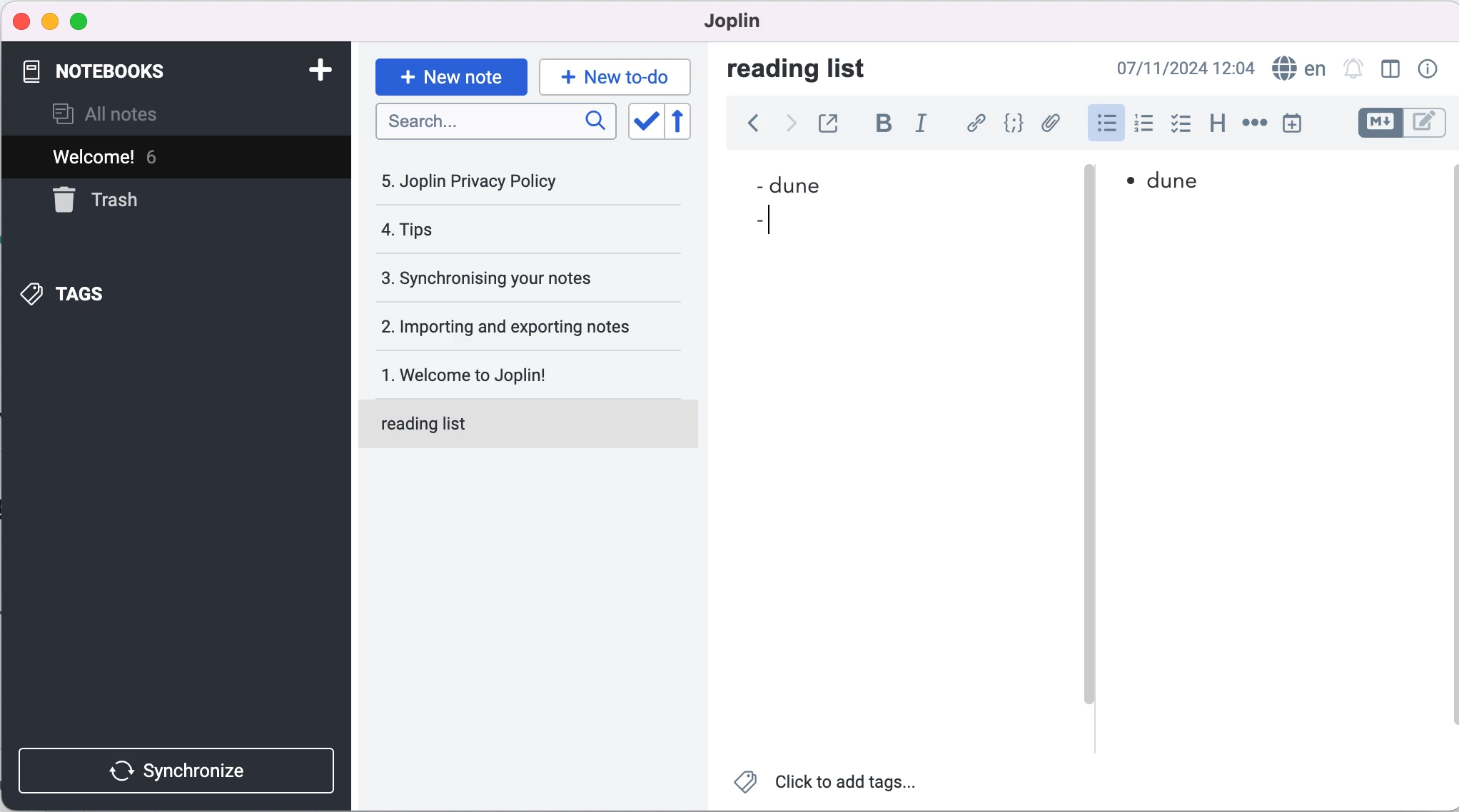  Describe the element at coordinates (525, 280) in the screenshot. I see `synchronising your notes` at that location.